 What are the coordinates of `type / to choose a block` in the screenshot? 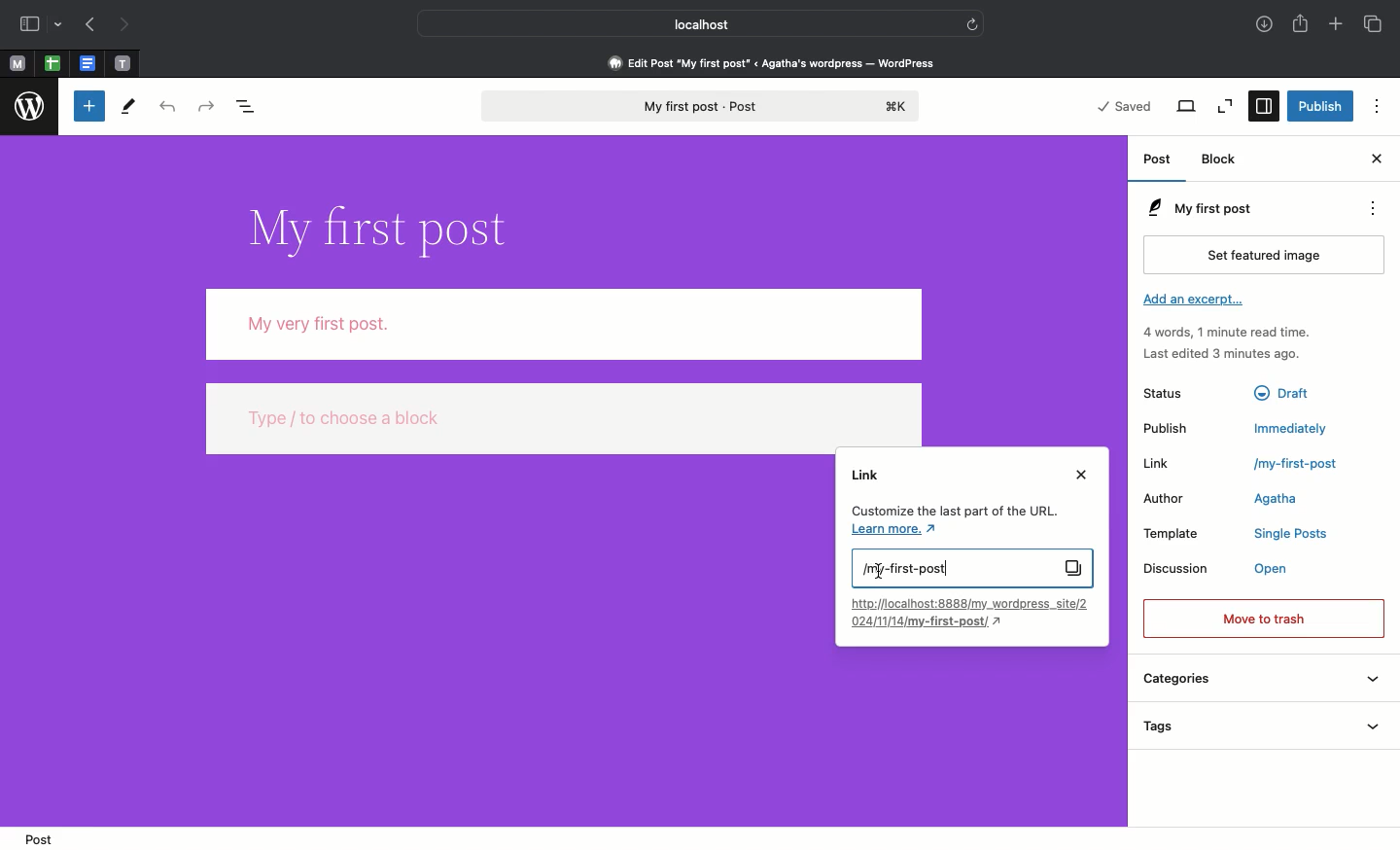 It's located at (565, 417).